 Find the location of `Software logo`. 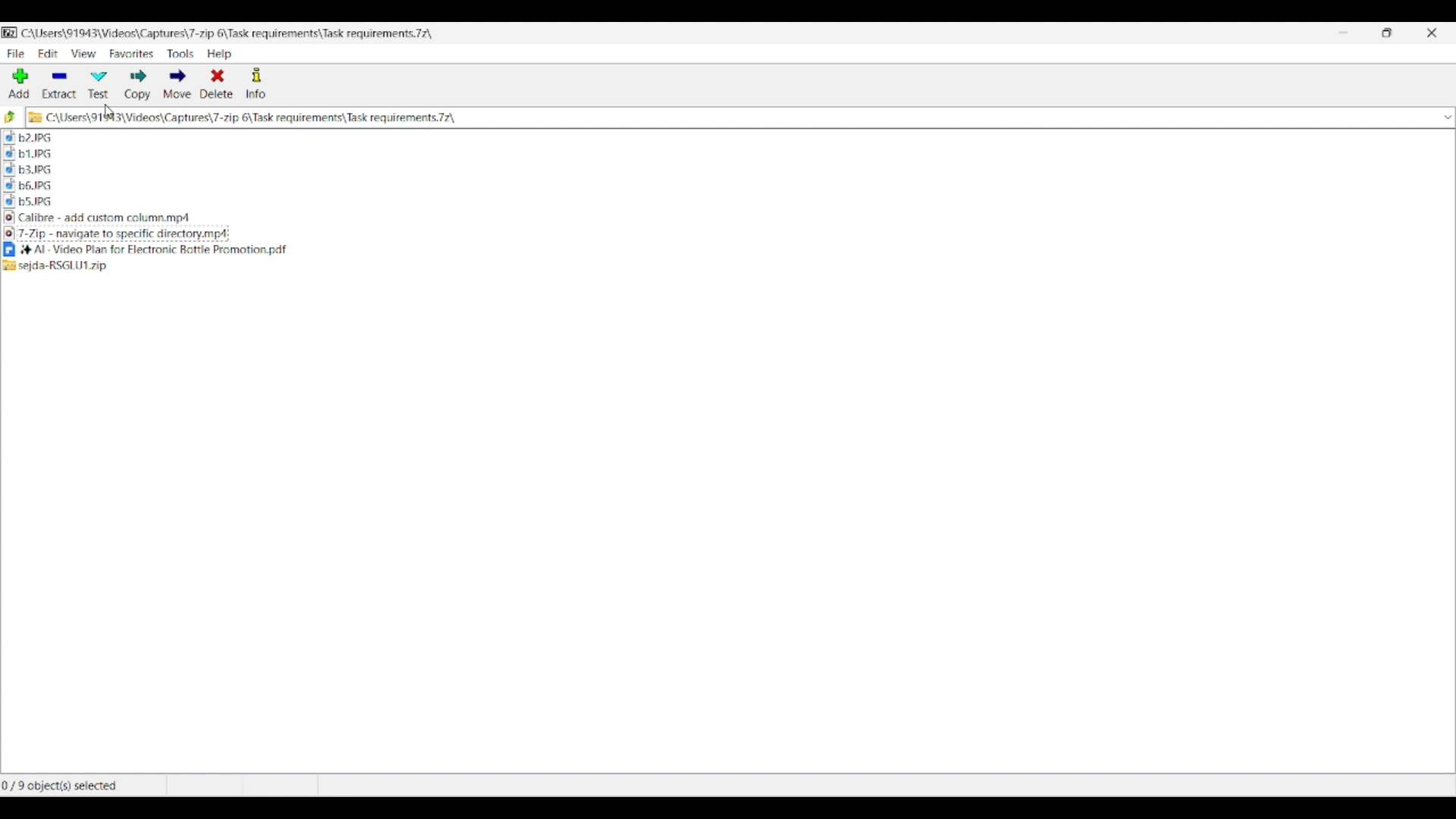

Software logo is located at coordinates (11, 33).